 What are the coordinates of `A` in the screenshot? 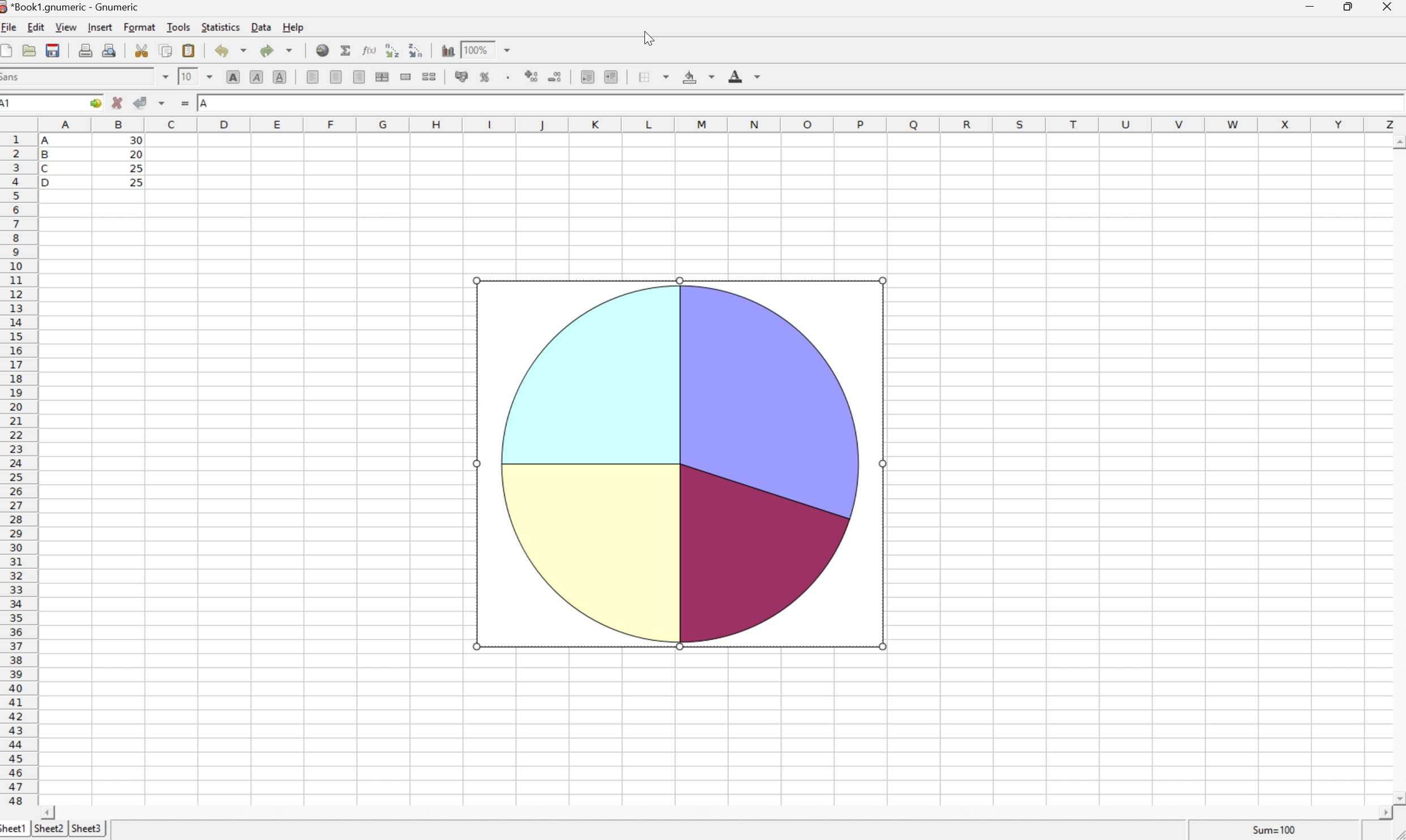 It's located at (205, 104).